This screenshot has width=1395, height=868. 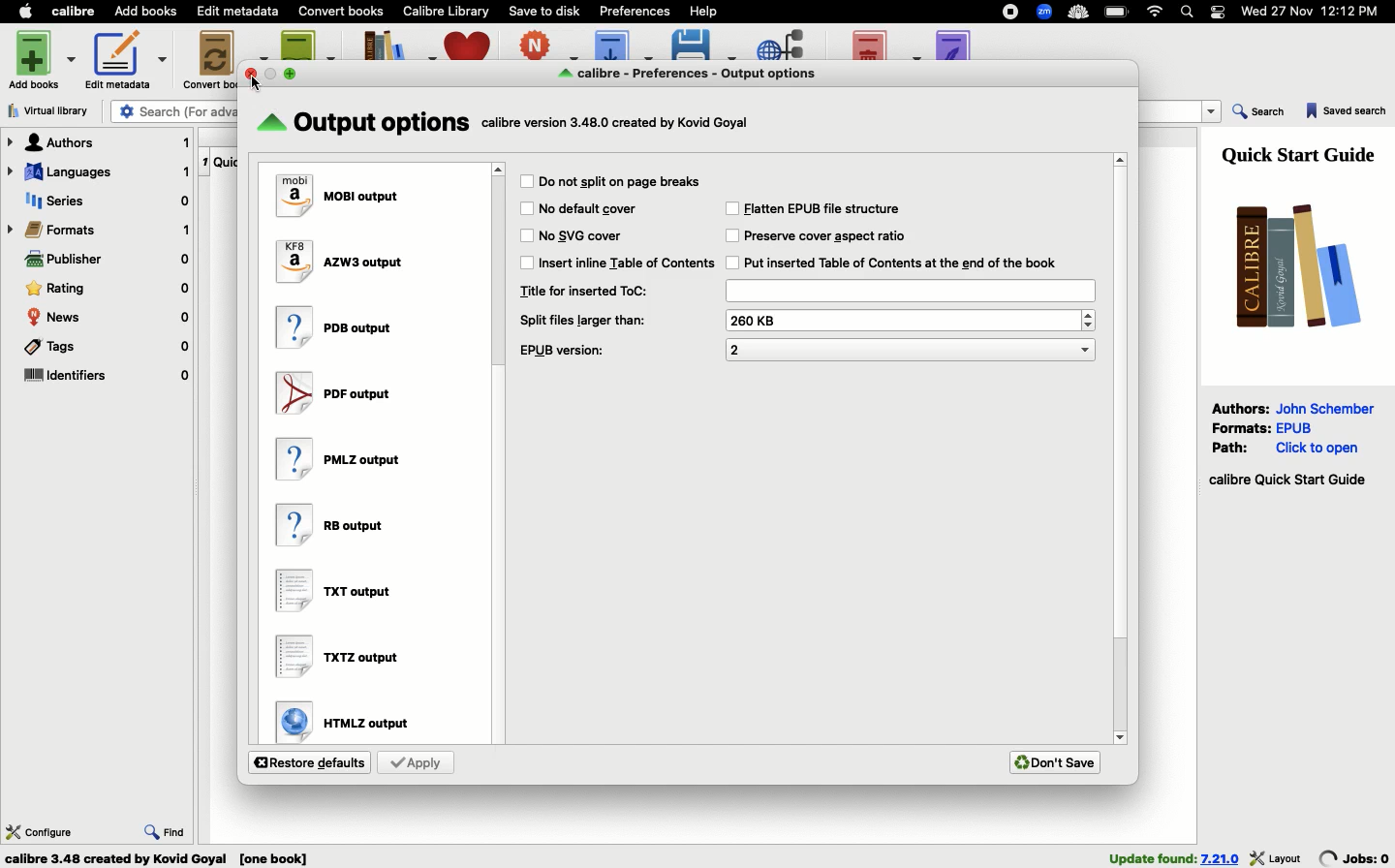 What do you see at coordinates (630, 262) in the screenshot?
I see `Insert inline table of contents` at bounding box center [630, 262].